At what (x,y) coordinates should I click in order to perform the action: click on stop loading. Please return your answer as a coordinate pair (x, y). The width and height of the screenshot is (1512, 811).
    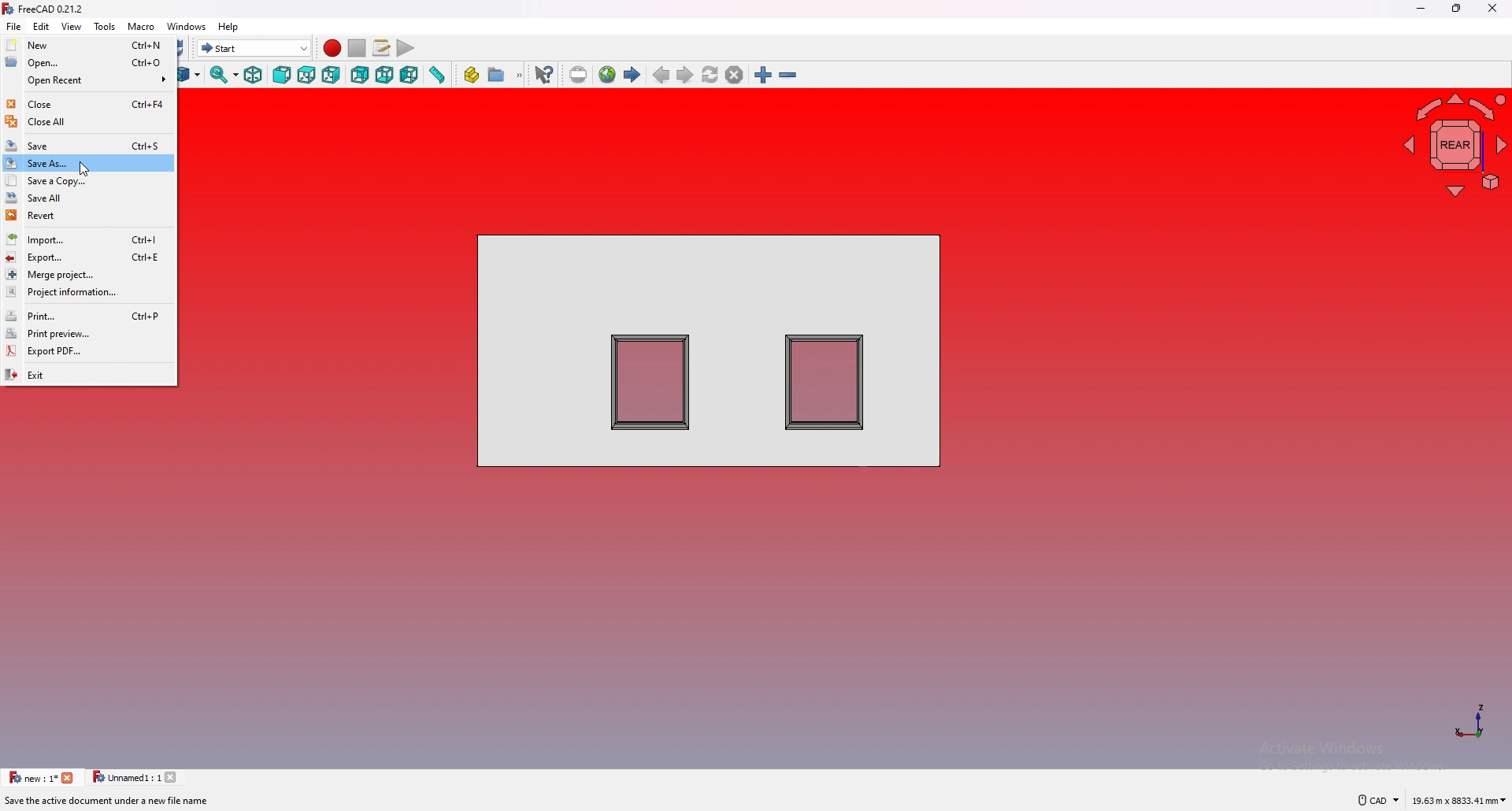
    Looking at the image, I should click on (735, 75).